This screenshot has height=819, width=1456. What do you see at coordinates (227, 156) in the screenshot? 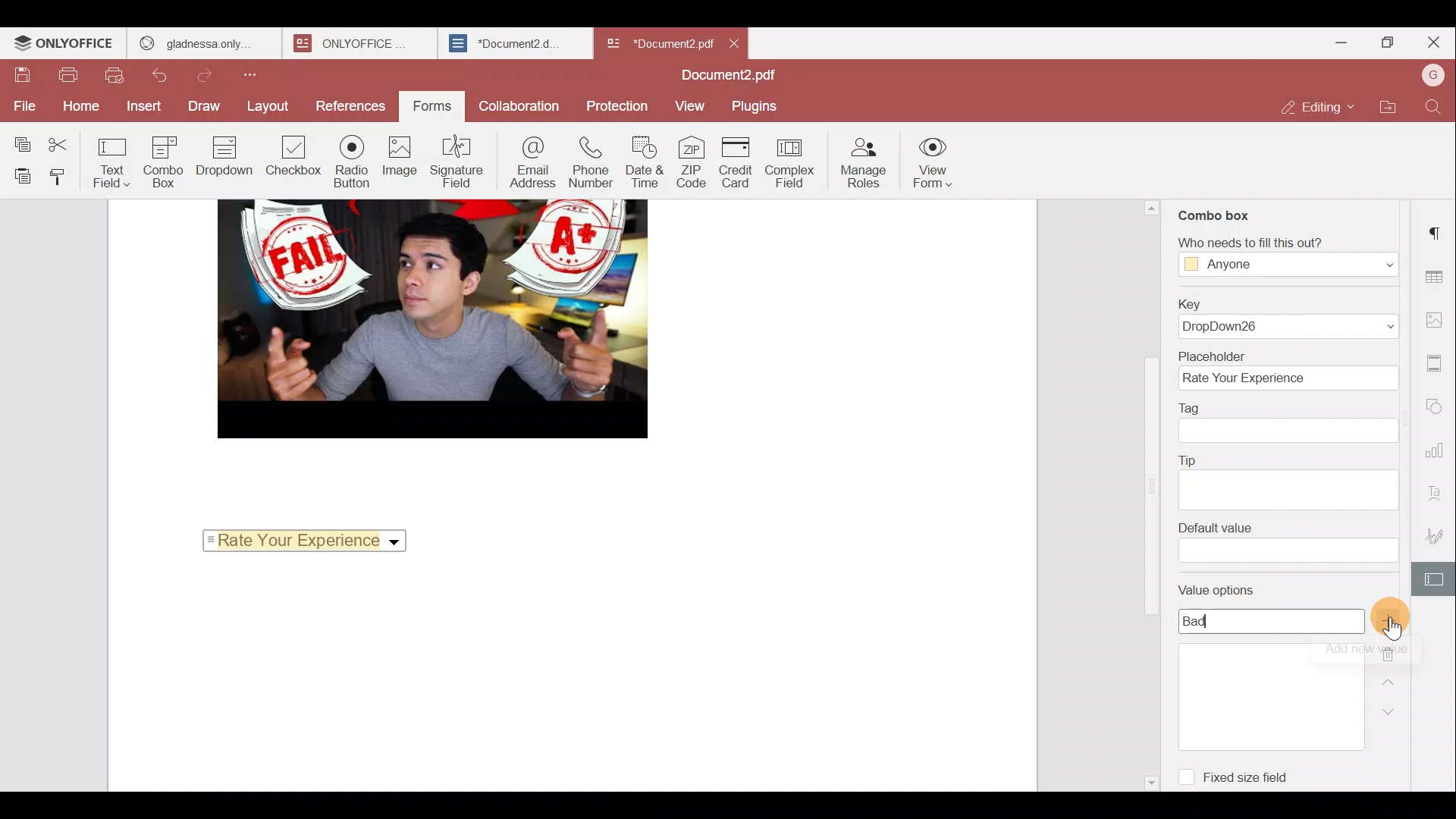
I see `Dropdown` at bounding box center [227, 156].